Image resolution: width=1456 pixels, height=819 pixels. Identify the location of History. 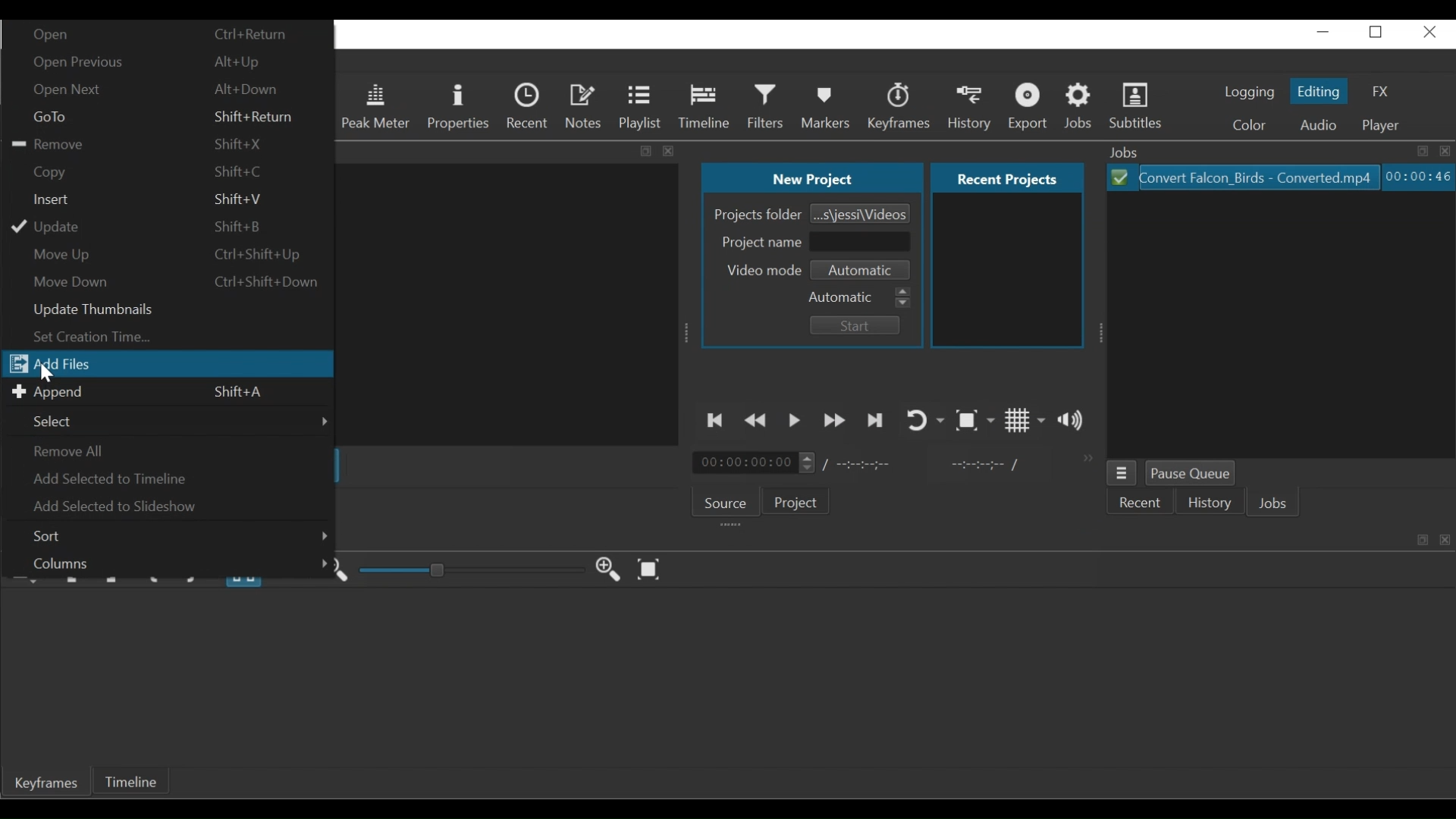
(971, 108).